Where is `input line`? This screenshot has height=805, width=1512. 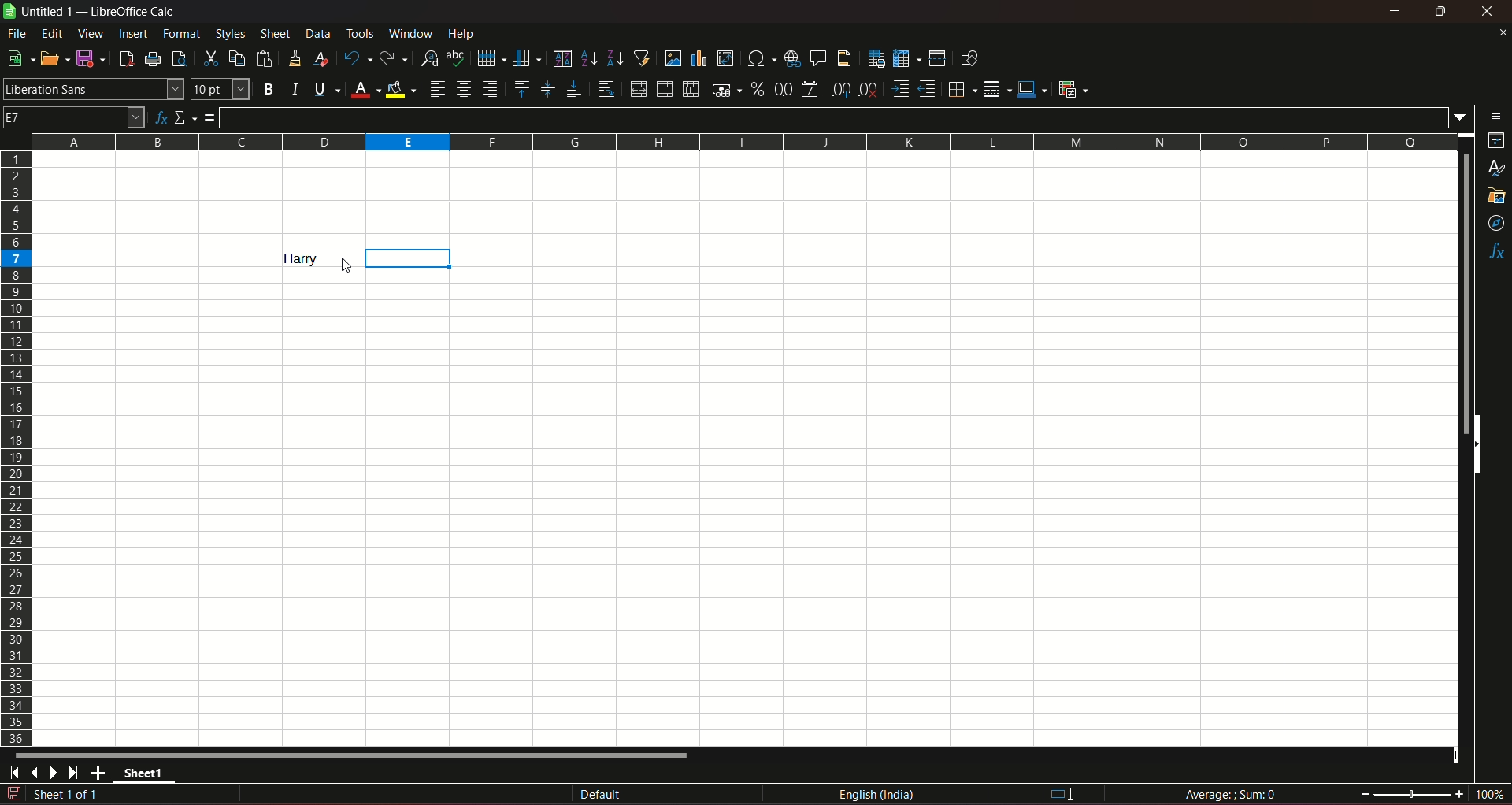 input line is located at coordinates (836, 117).